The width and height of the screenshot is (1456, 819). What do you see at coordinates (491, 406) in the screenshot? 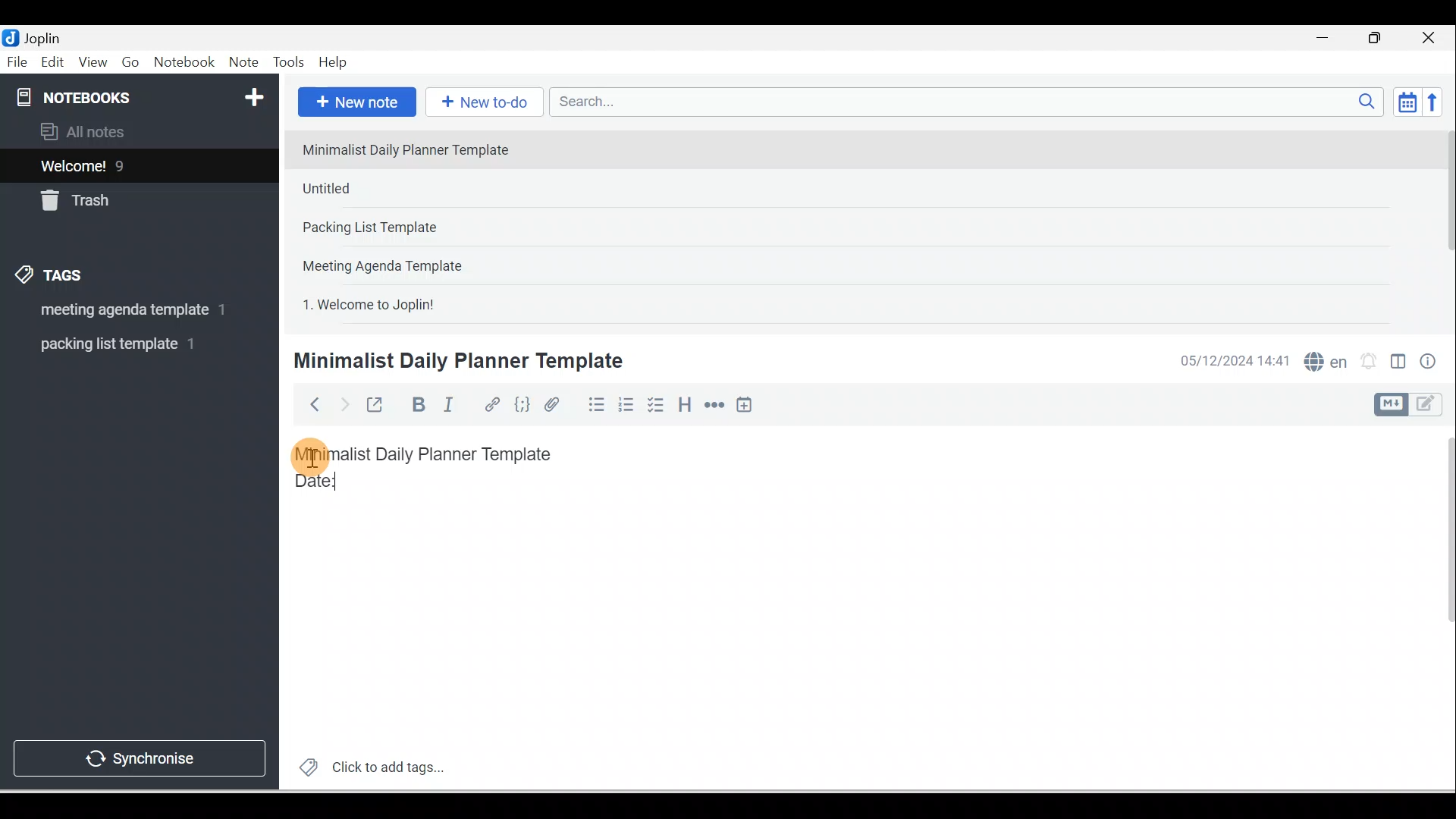
I see `Hyperlink` at bounding box center [491, 406].